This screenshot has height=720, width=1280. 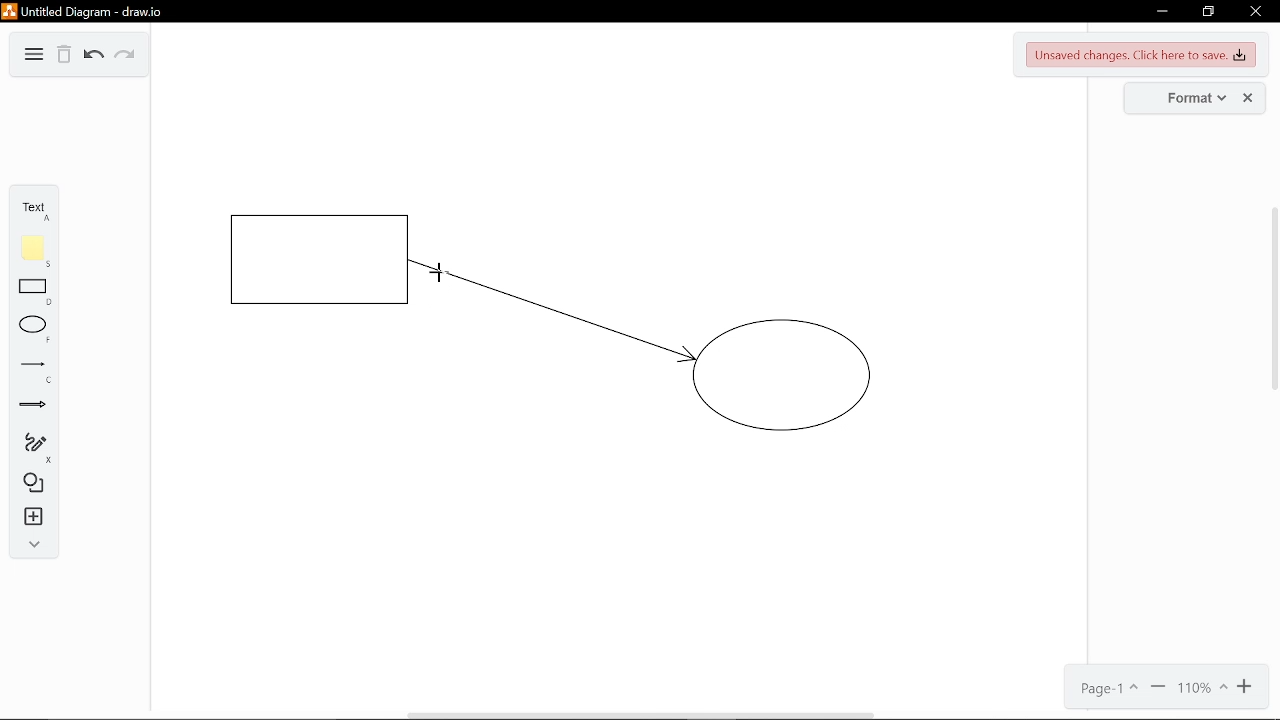 What do you see at coordinates (31, 545) in the screenshot?
I see `Expand/Collase` at bounding box center [31, 545].